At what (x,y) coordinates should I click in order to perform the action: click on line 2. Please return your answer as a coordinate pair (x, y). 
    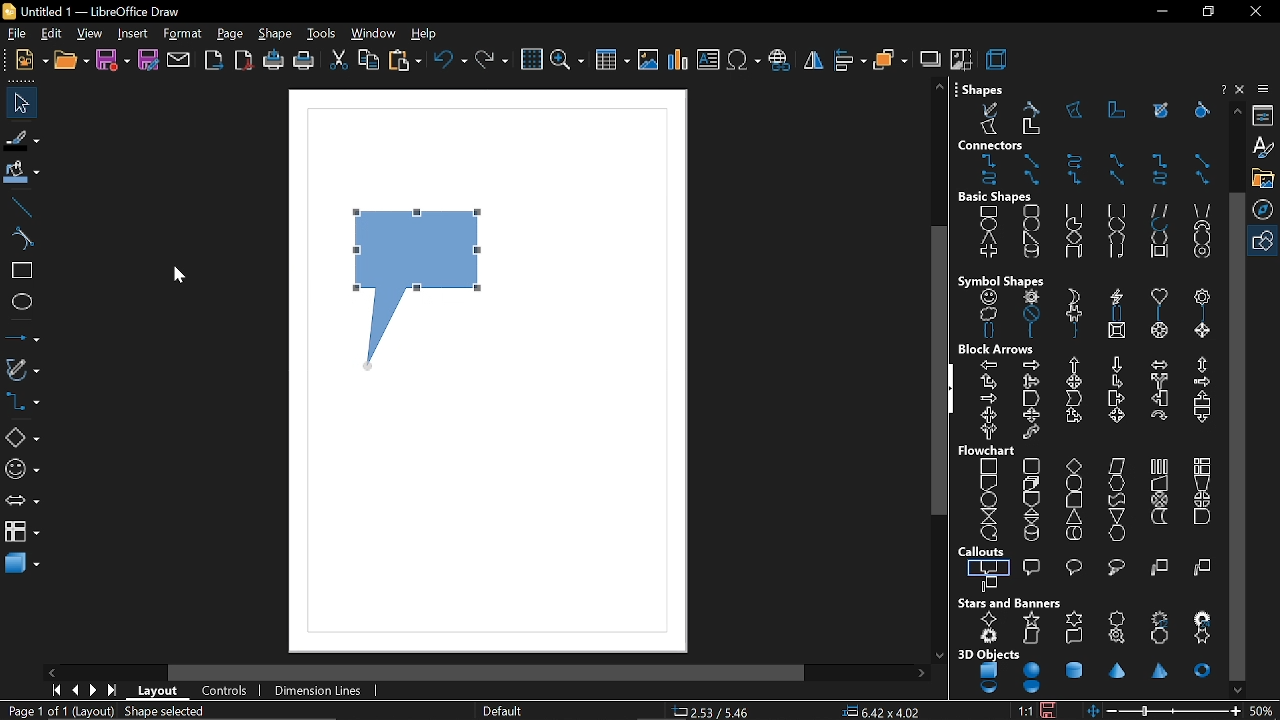
    Looking at the image, I should click on (1203, 569).